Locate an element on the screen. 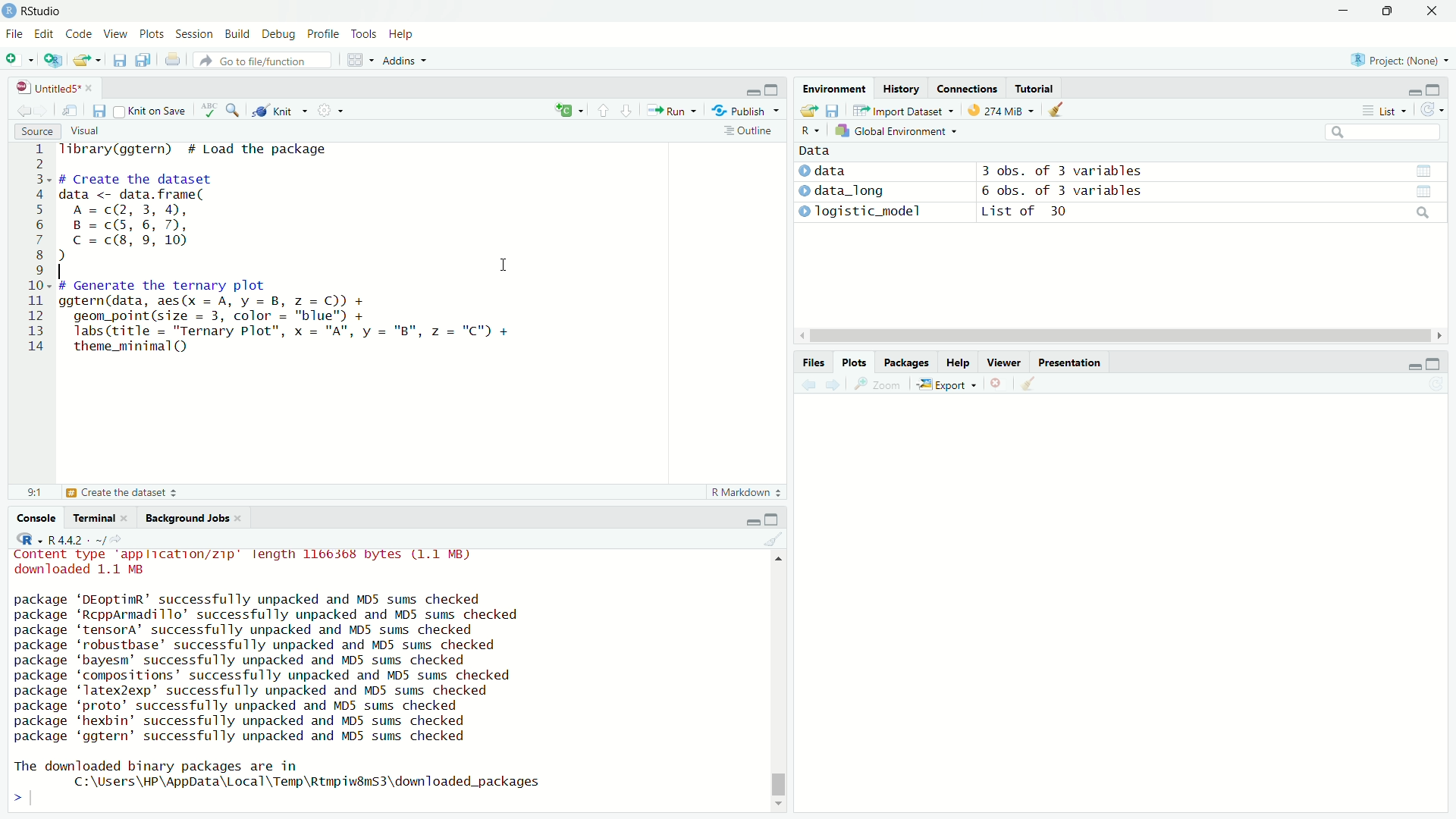 The height and width of the screenshot is (819, 1456). : Outline is located at coordinates (746, 132).